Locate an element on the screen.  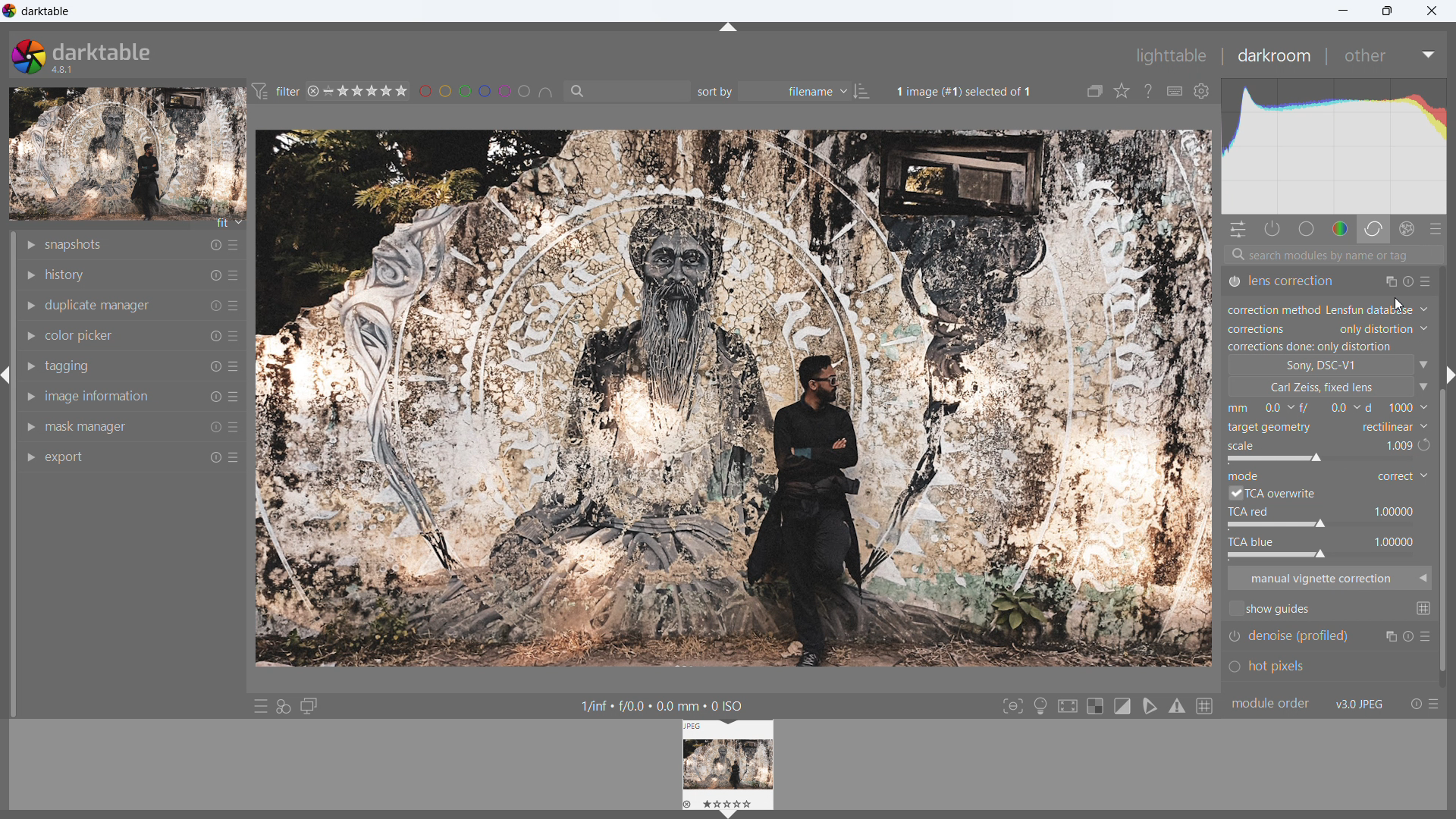
click to change the type of overlays shown on thumbnails is located at coordinates (1122, 92).